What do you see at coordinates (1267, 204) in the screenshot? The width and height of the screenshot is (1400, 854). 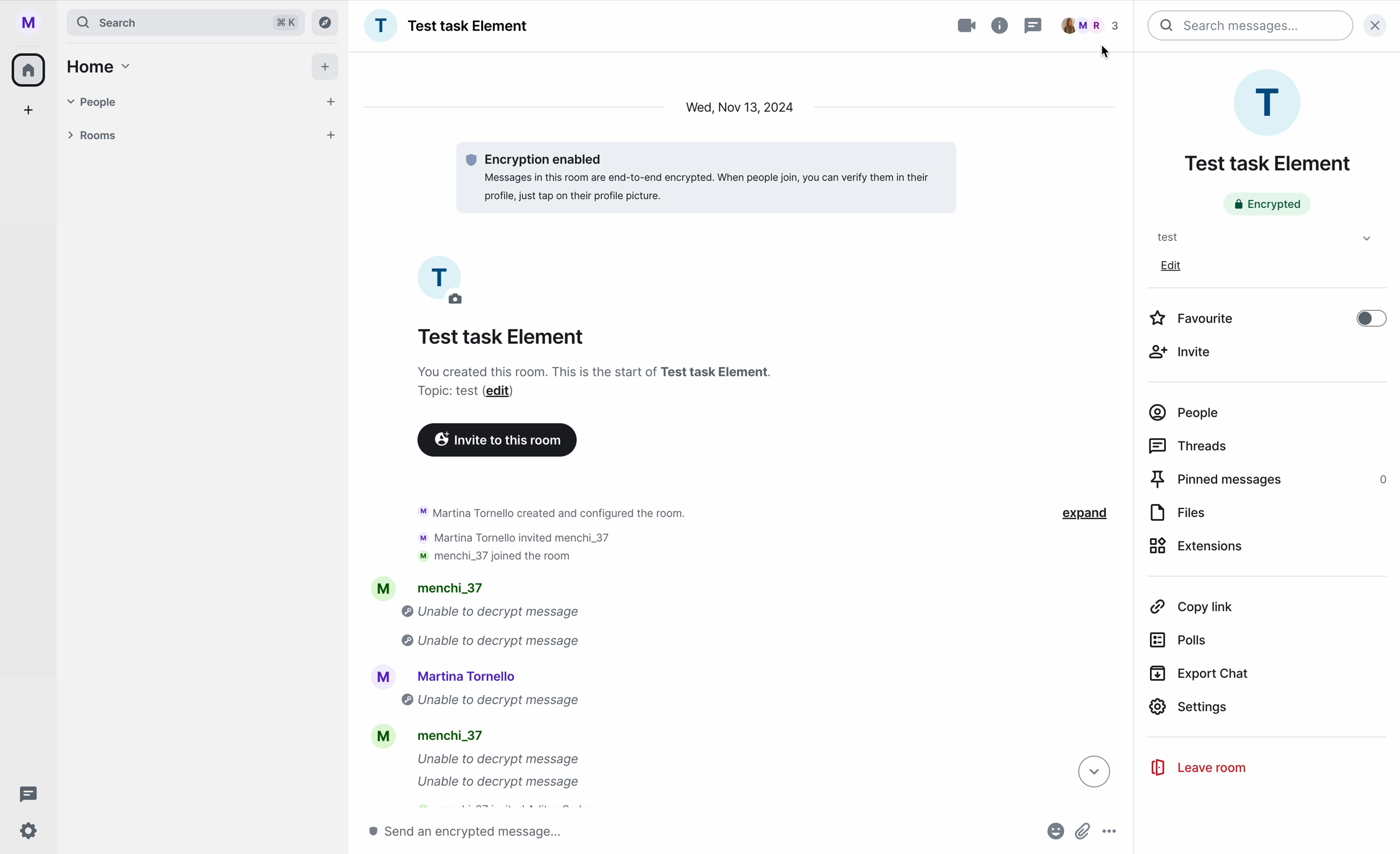 I see `encrypted` at bounding box center [1267, 204].